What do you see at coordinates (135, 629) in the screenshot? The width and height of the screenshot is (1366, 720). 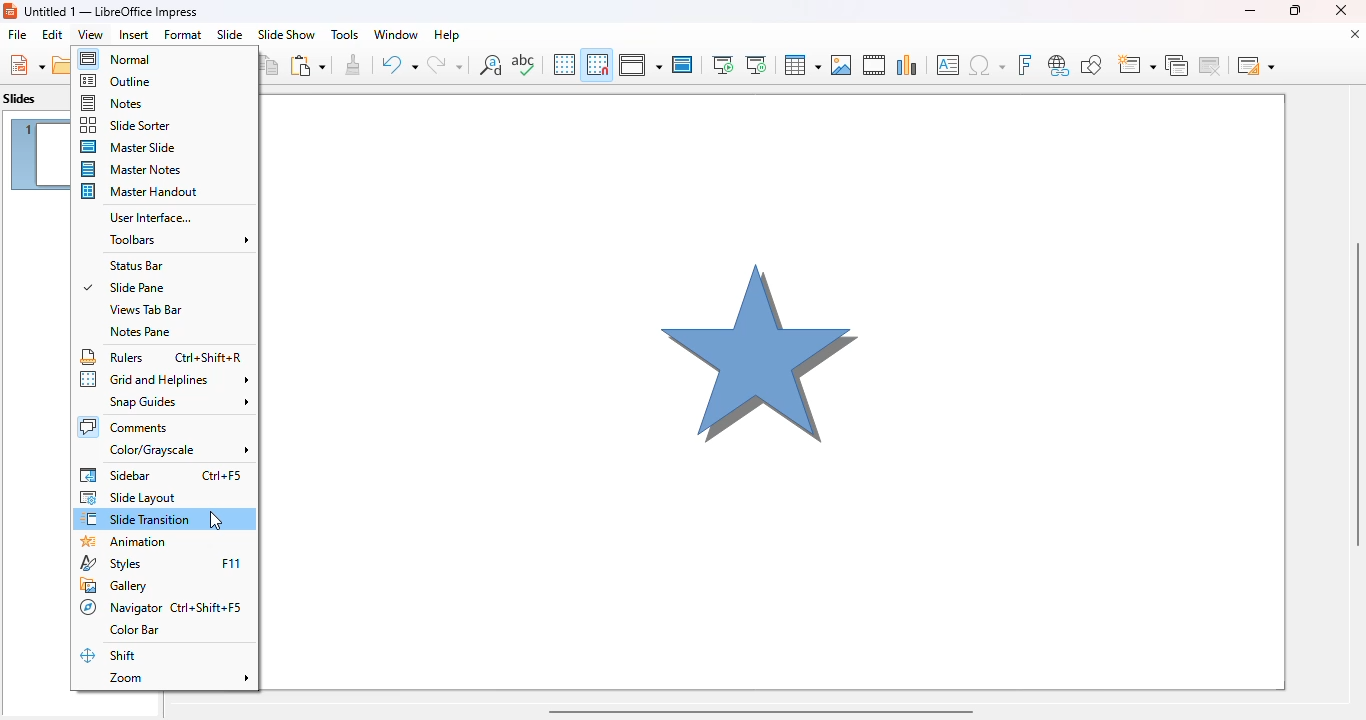 I see `color bar` at bounding box center [135, 629].